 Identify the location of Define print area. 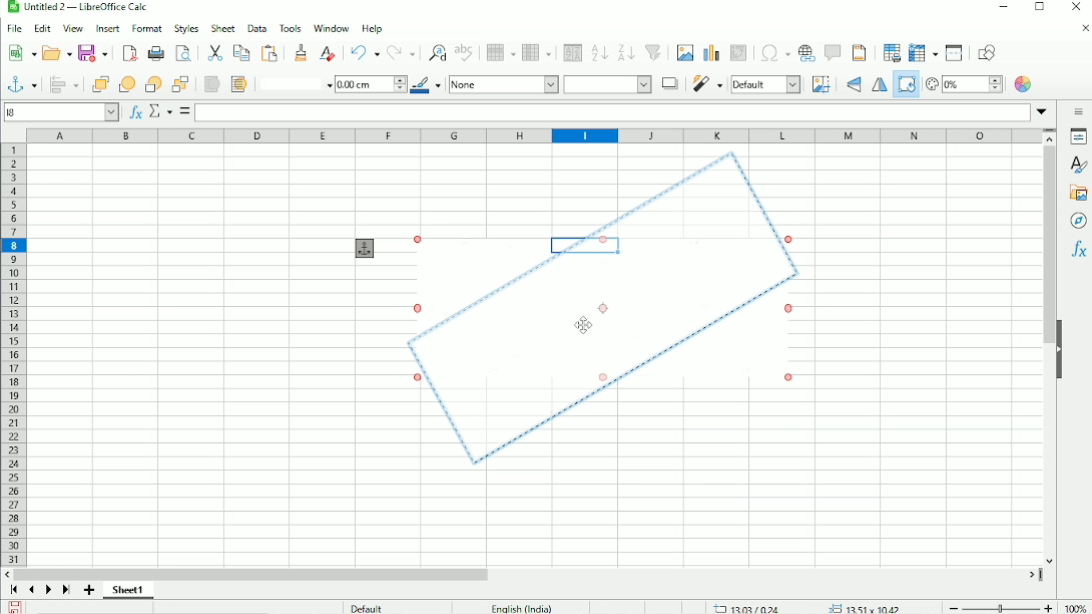
(892, 52).